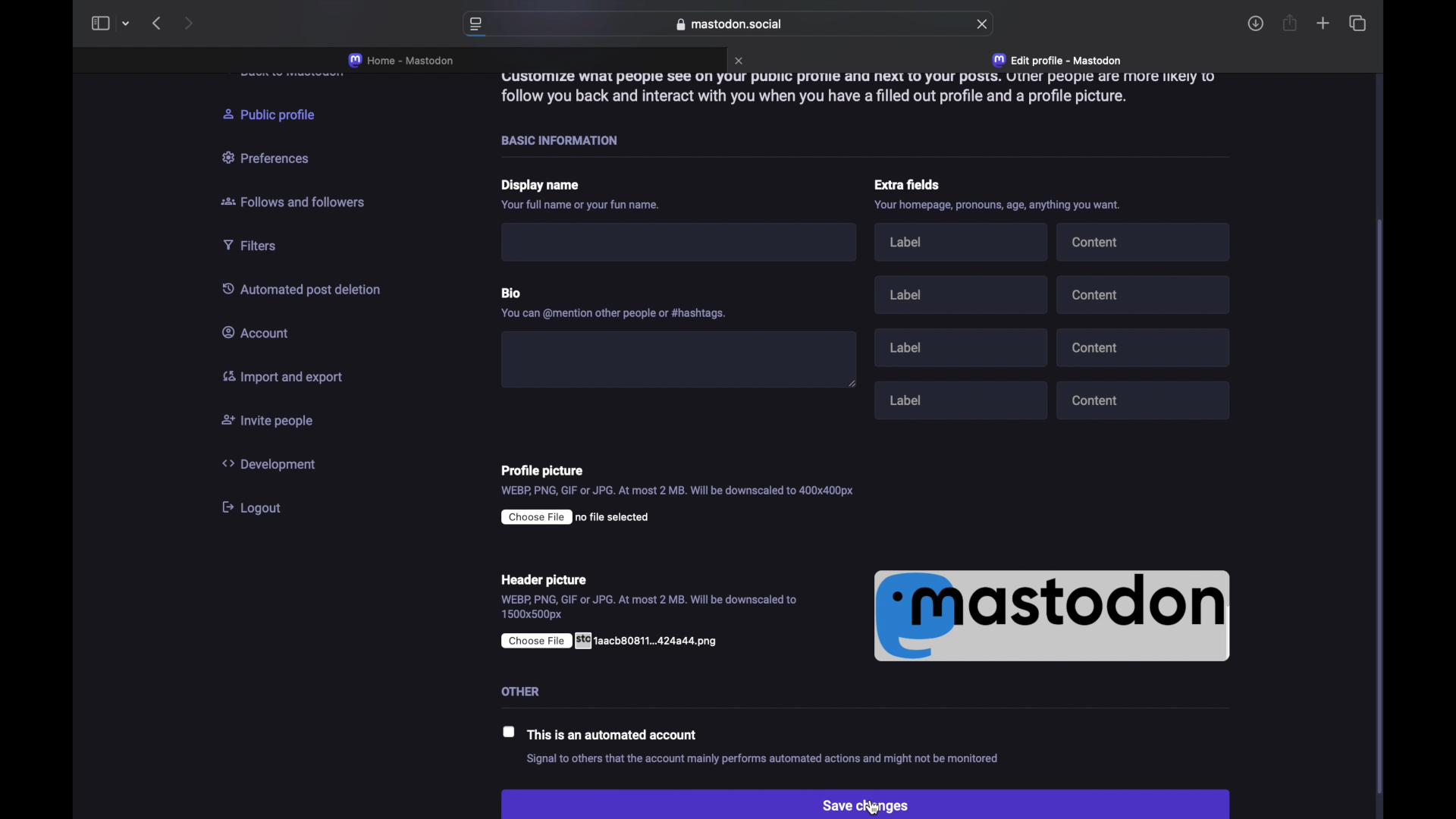  Describe the element at coordinates (401, 60) in the screenshot. I see `home - mastodon` at that location.